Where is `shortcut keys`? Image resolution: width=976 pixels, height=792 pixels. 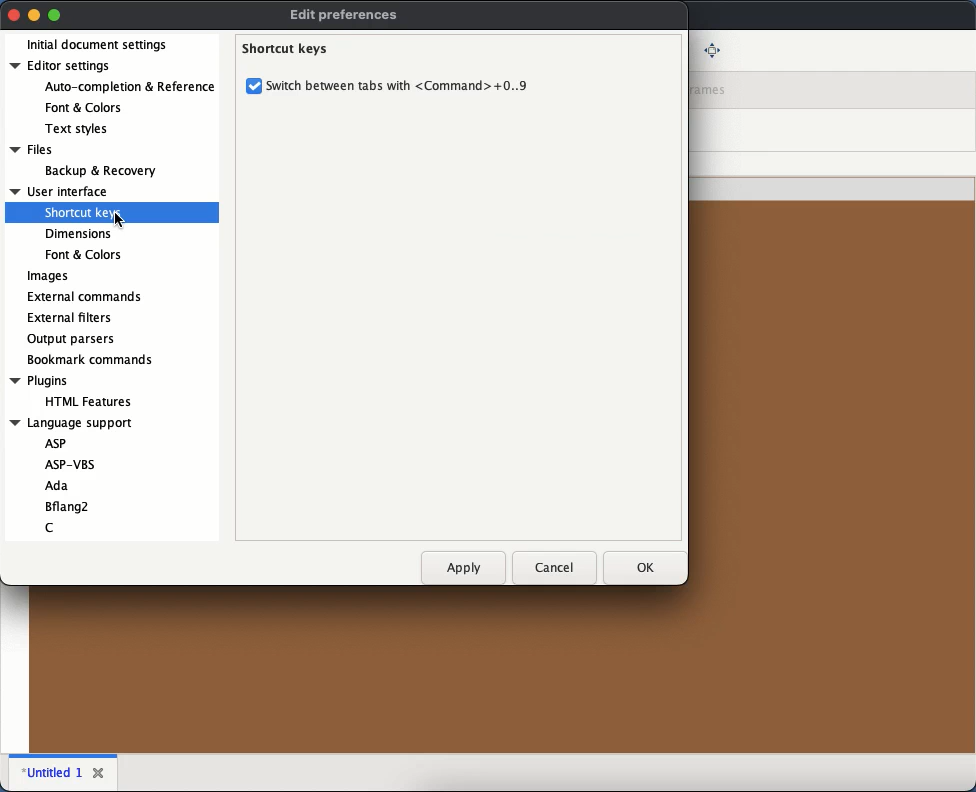
shortcut keys is located at coordinates (81, 213).